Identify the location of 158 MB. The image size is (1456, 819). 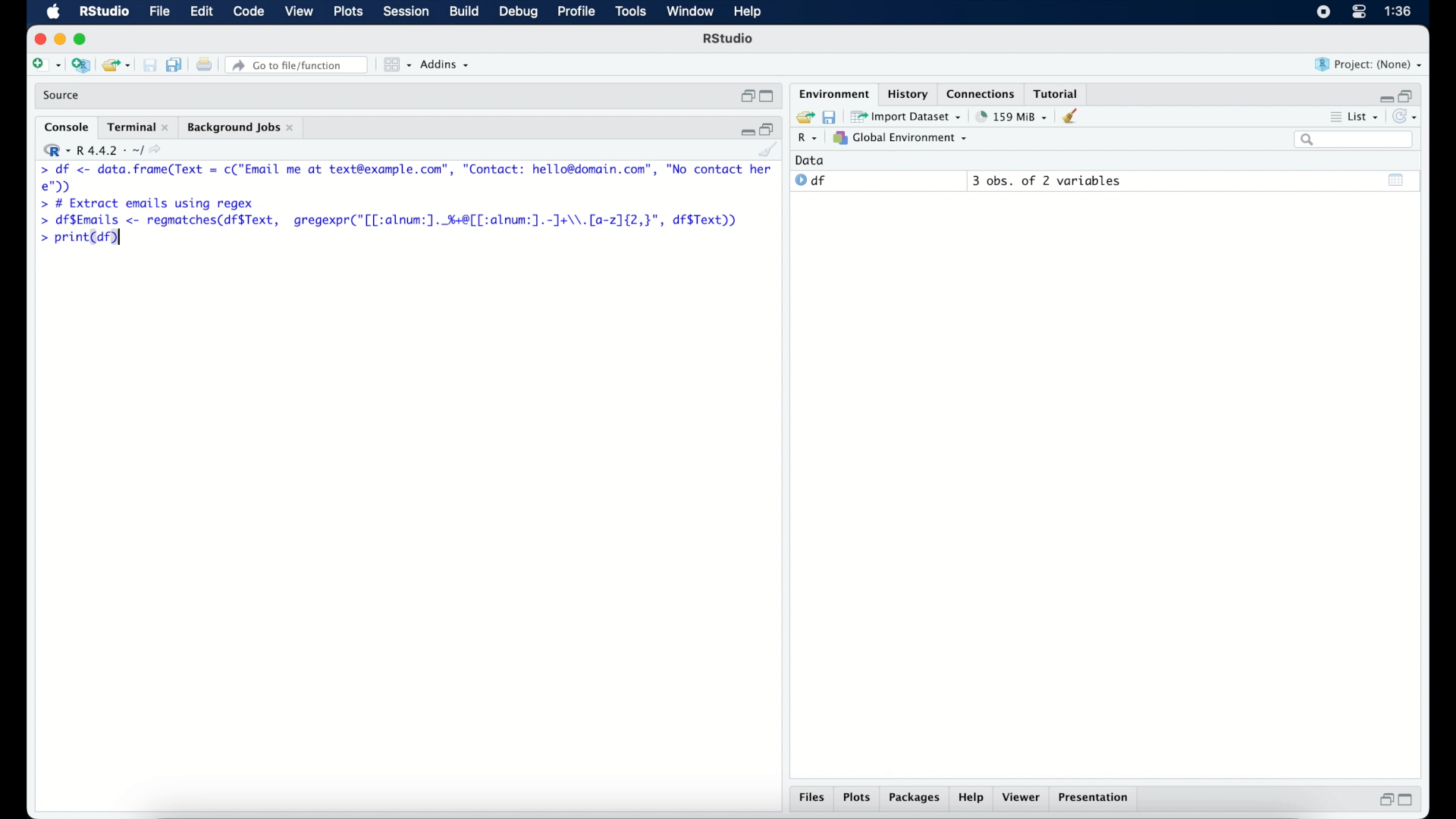
(1013, 116).